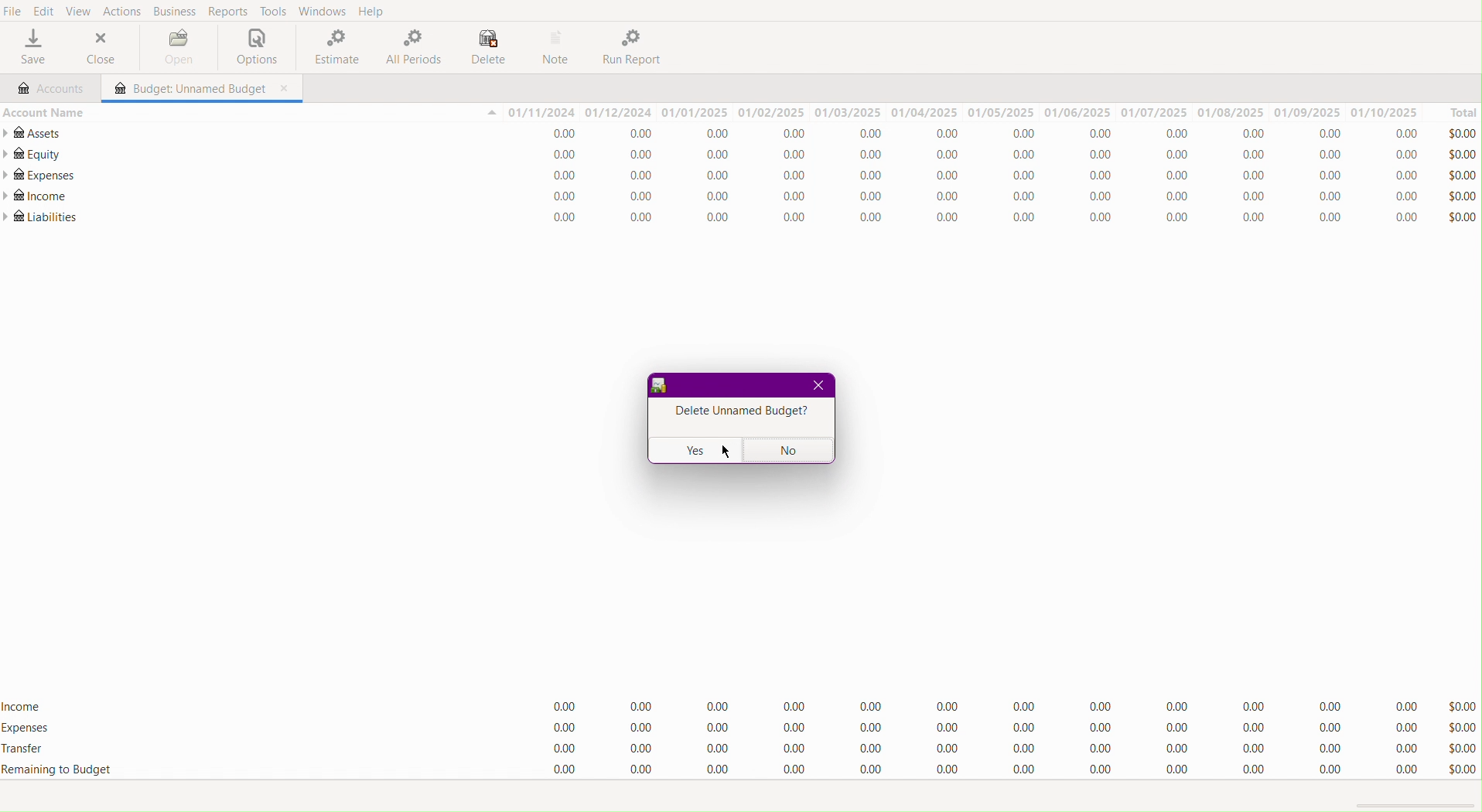 The width and height of the screenshot is (1482, 812). What do you see at coordinates (186, 89) in the screenshot?
I see `Budget: Unnamed Budget` at bounding box center [186, 89].